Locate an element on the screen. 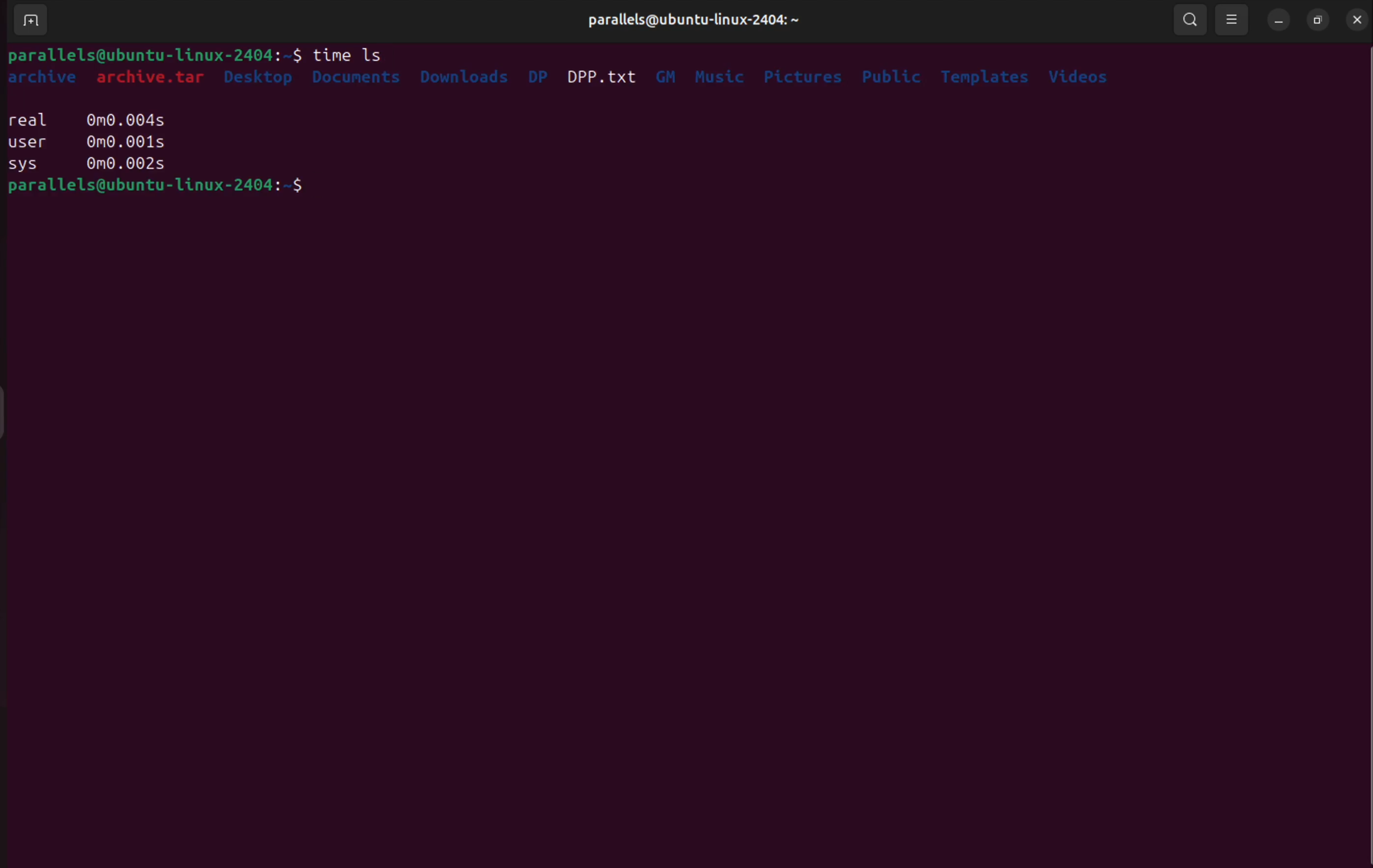  sys is located at coordinates (26, 164).